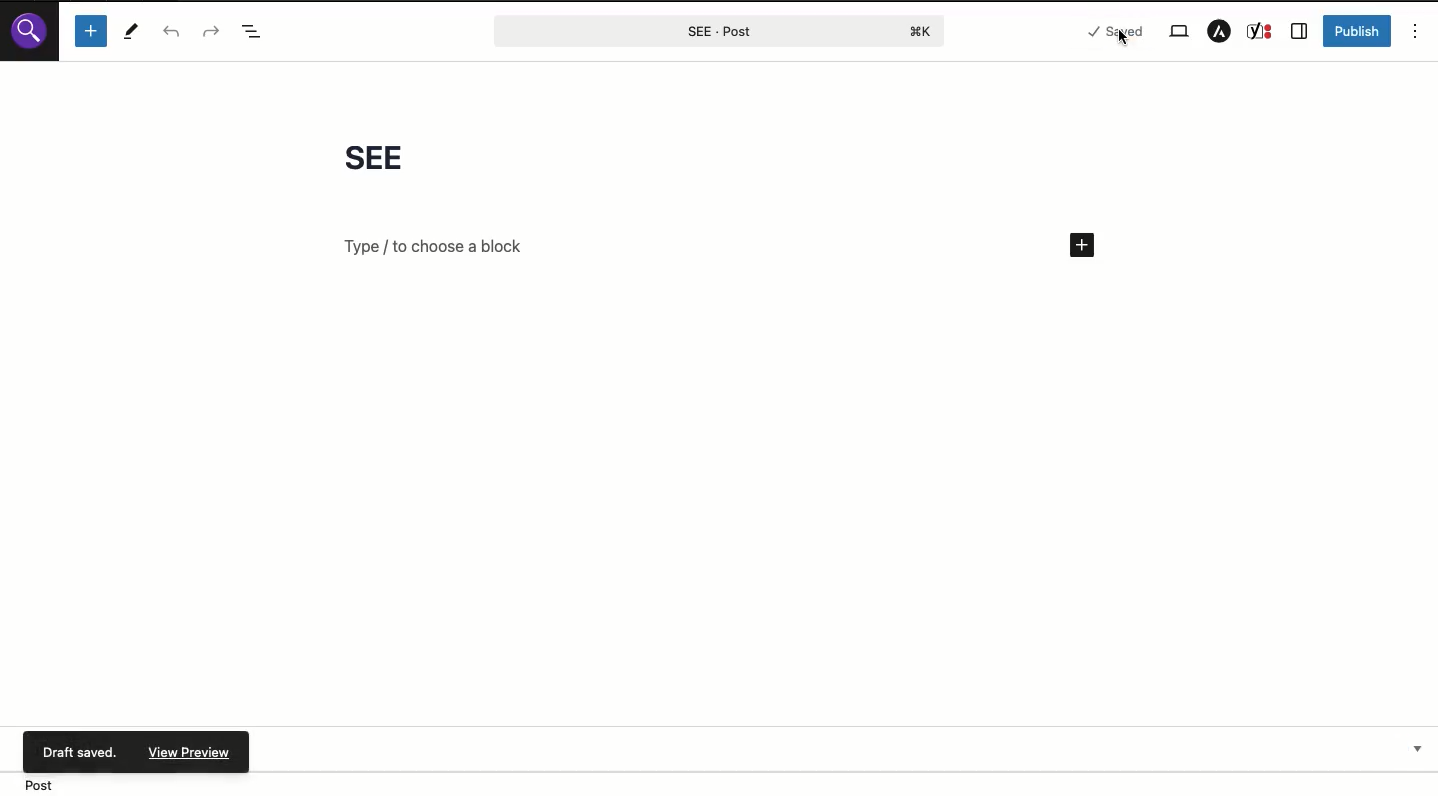 Image resolution: width=1438 pixels, height=796 pixels. Describe the element at coordinates (440, 246) in the screenshot. I see `Add new block` at that location.